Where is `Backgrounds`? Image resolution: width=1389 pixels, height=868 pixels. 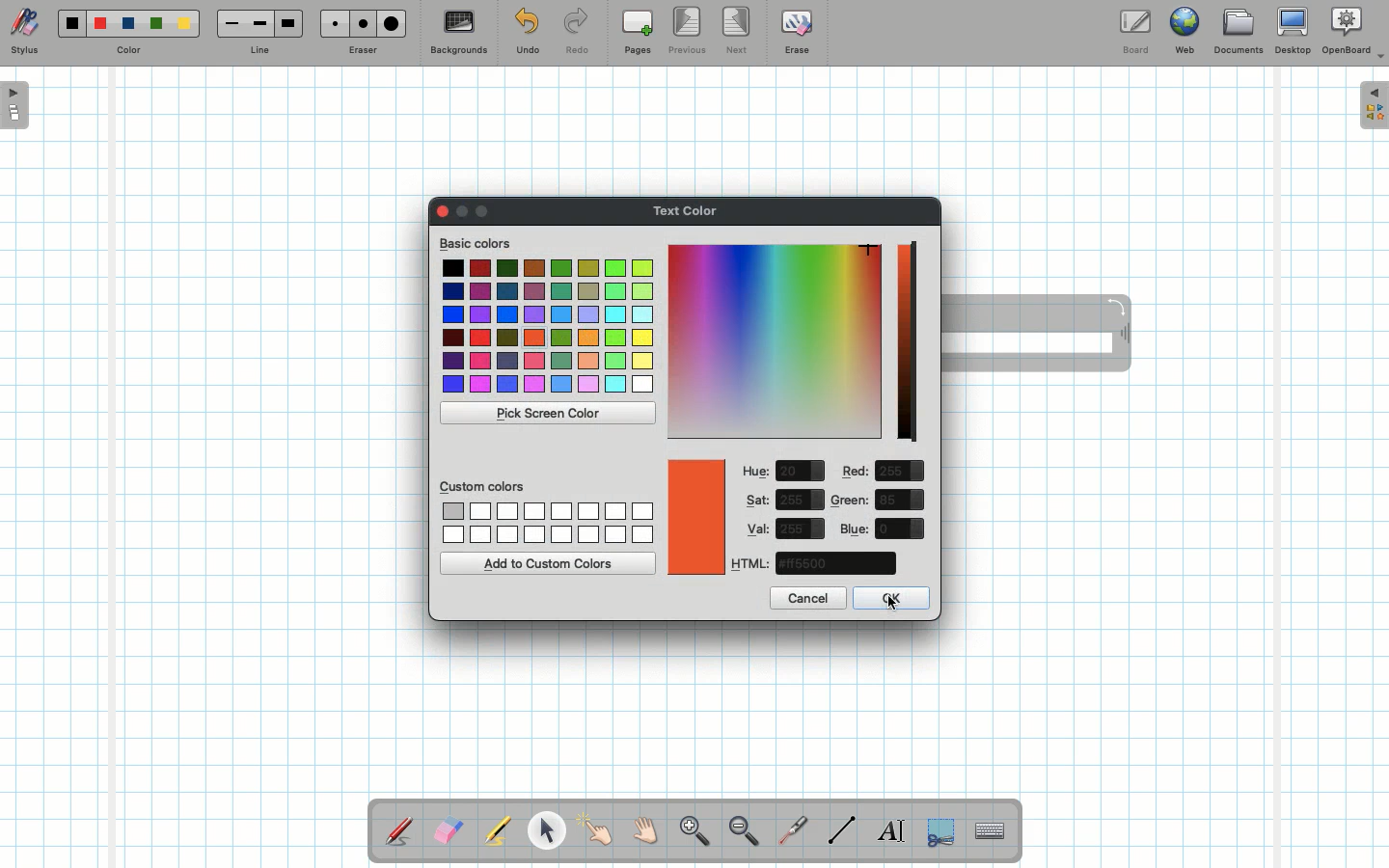 Backgrounds is located at coordinates (458, 33).